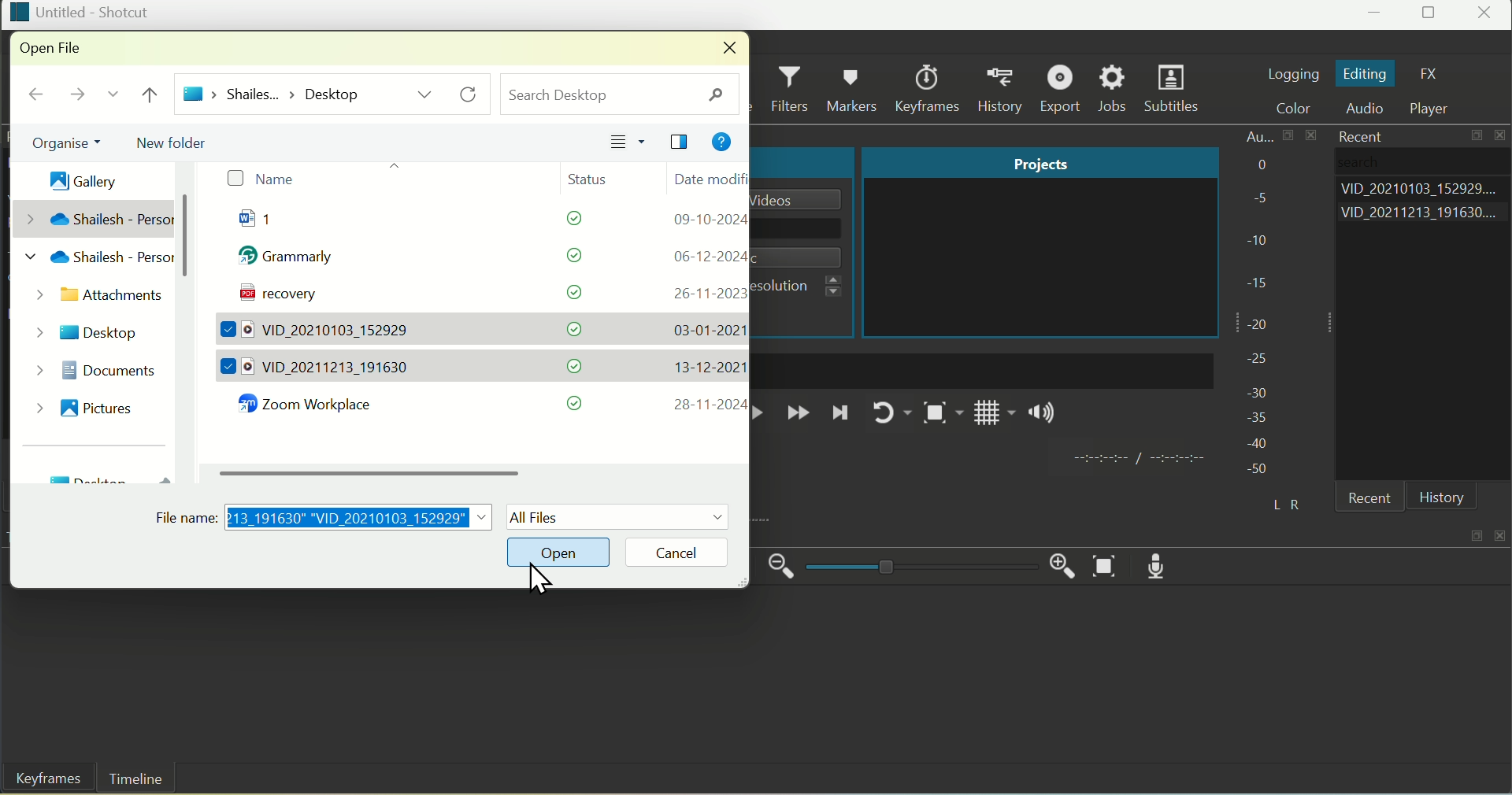  Describe the element at coordinates (188, 240) in the screenshot. I see `scrollbar` at that location.